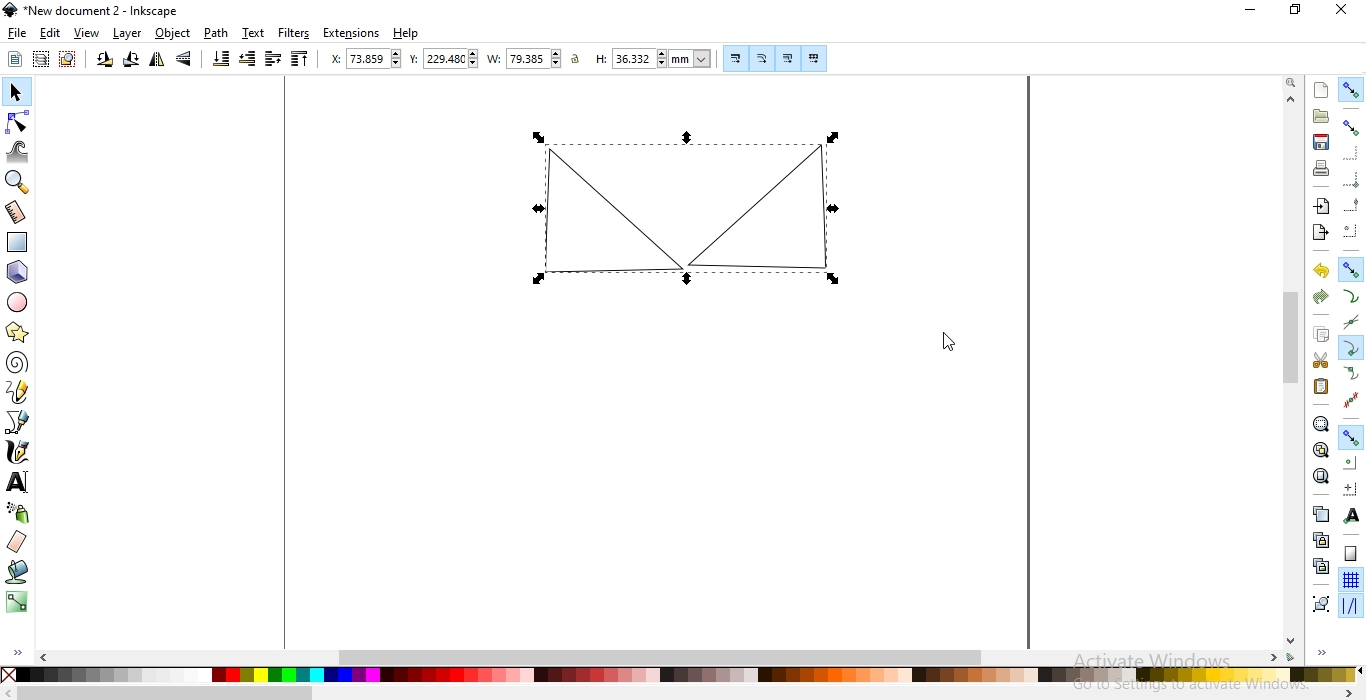  What do you see at coordinates (16, 120) in the screenshot?
I see `edit path by nodes` at bounding box center [16, 120].